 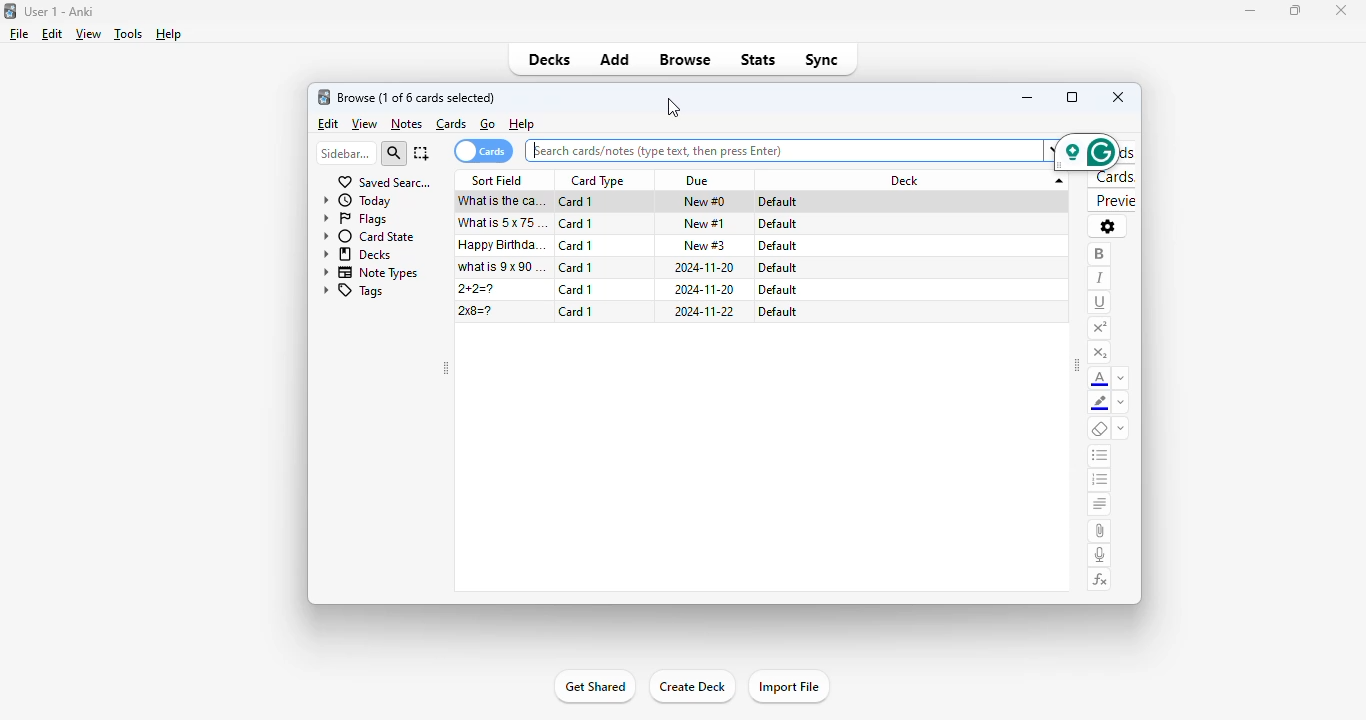 What do you see at coordinates (1100, 555) in the screenshot?
I see `record audio` at bounding box center [1100, 555].